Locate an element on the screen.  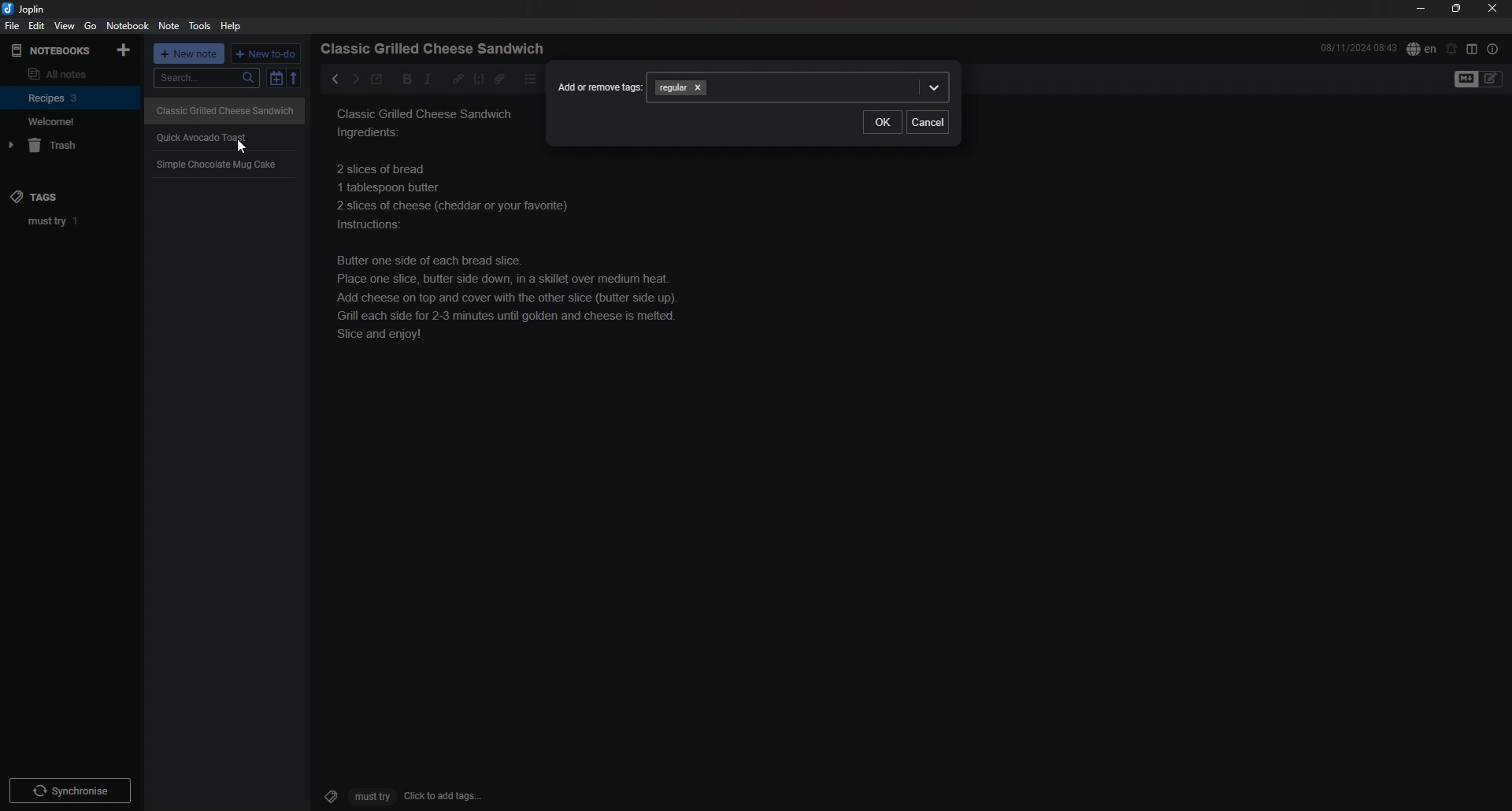
notebook is located at coordinates (69, 121).